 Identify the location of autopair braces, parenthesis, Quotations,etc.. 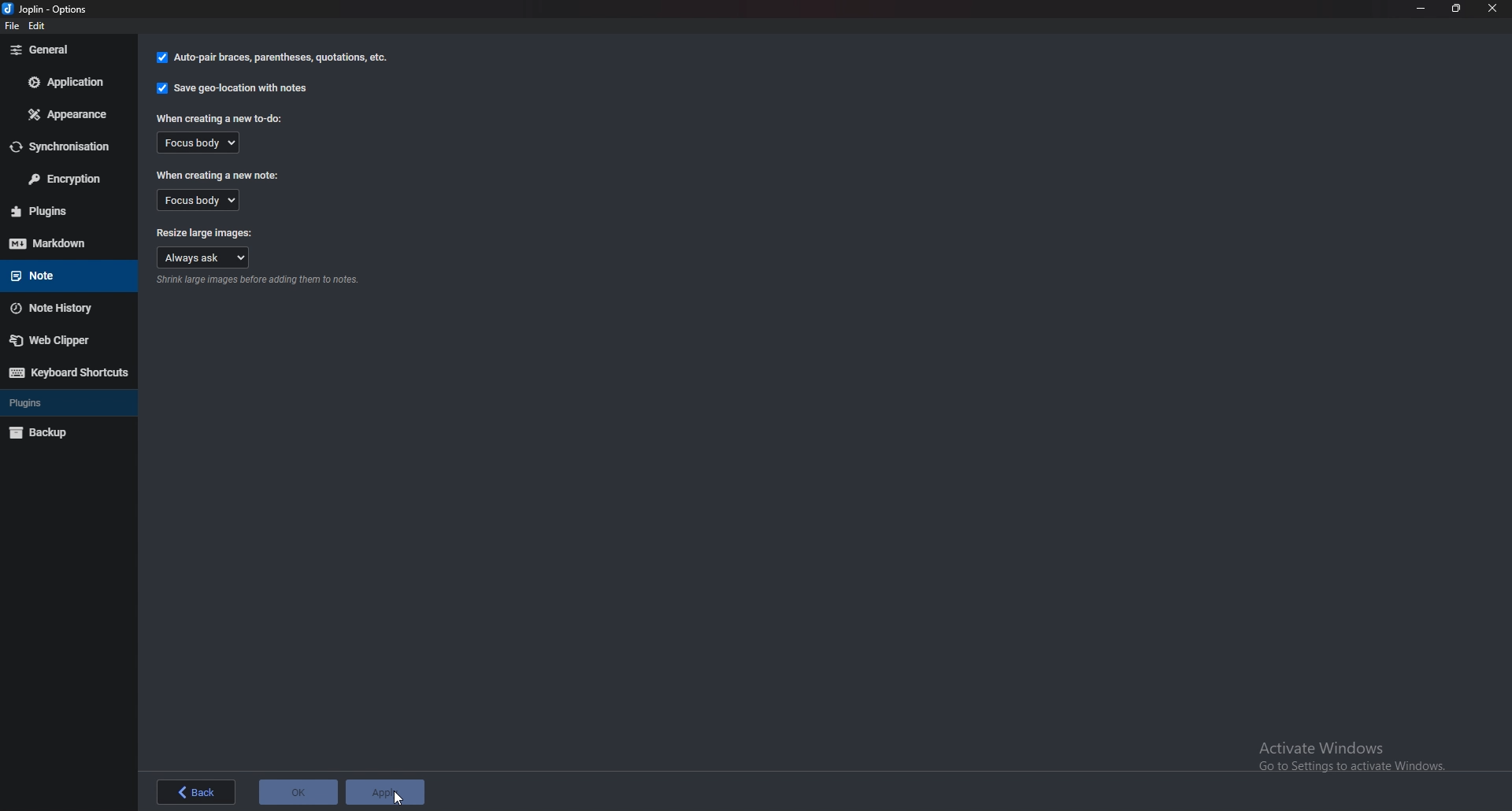
(270, 60).